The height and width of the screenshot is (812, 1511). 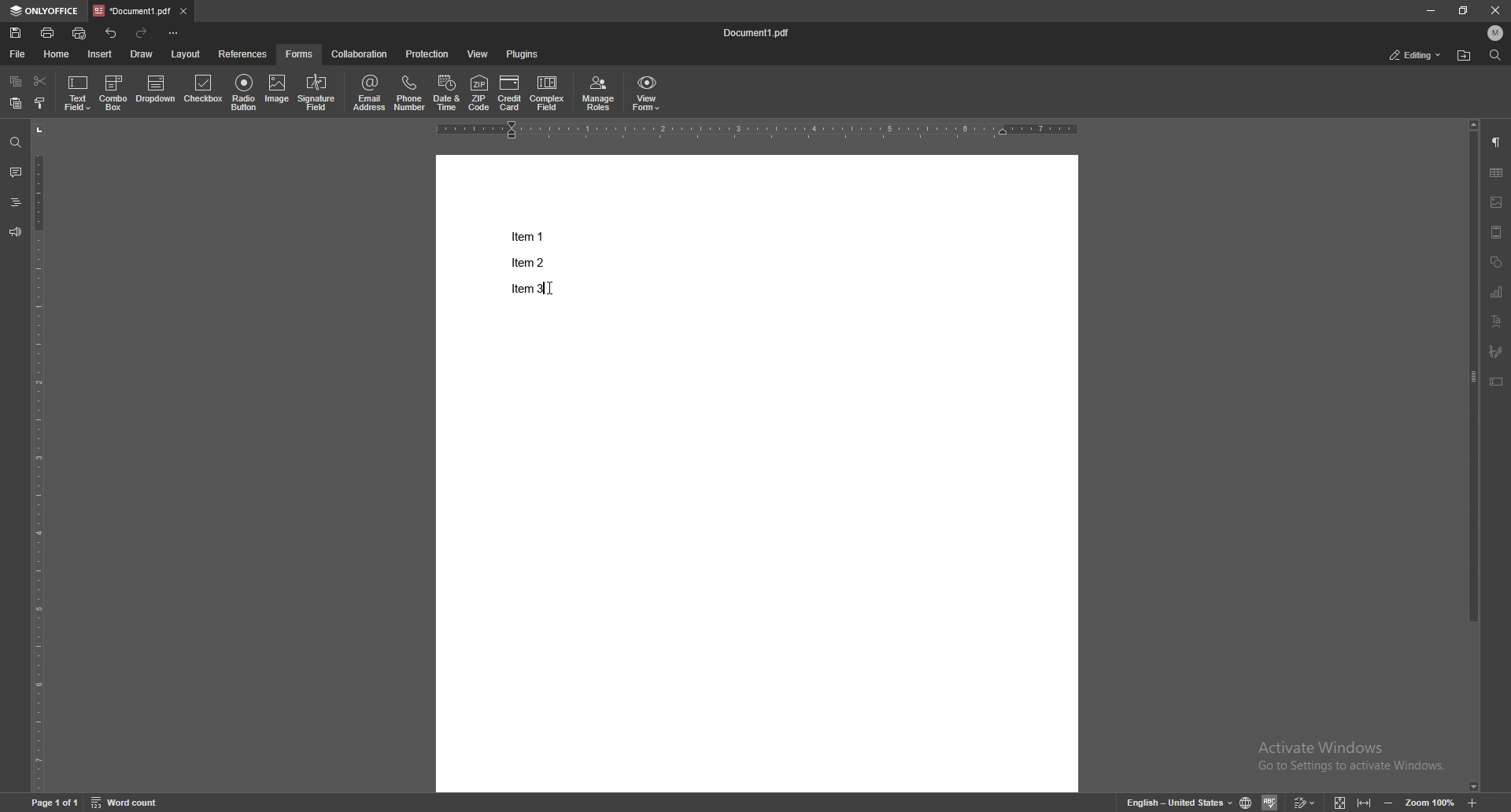 What do you see at coordinates (756, 131) in the screenshot?
I see `horizontal scale` at bounding box center [756, 131].